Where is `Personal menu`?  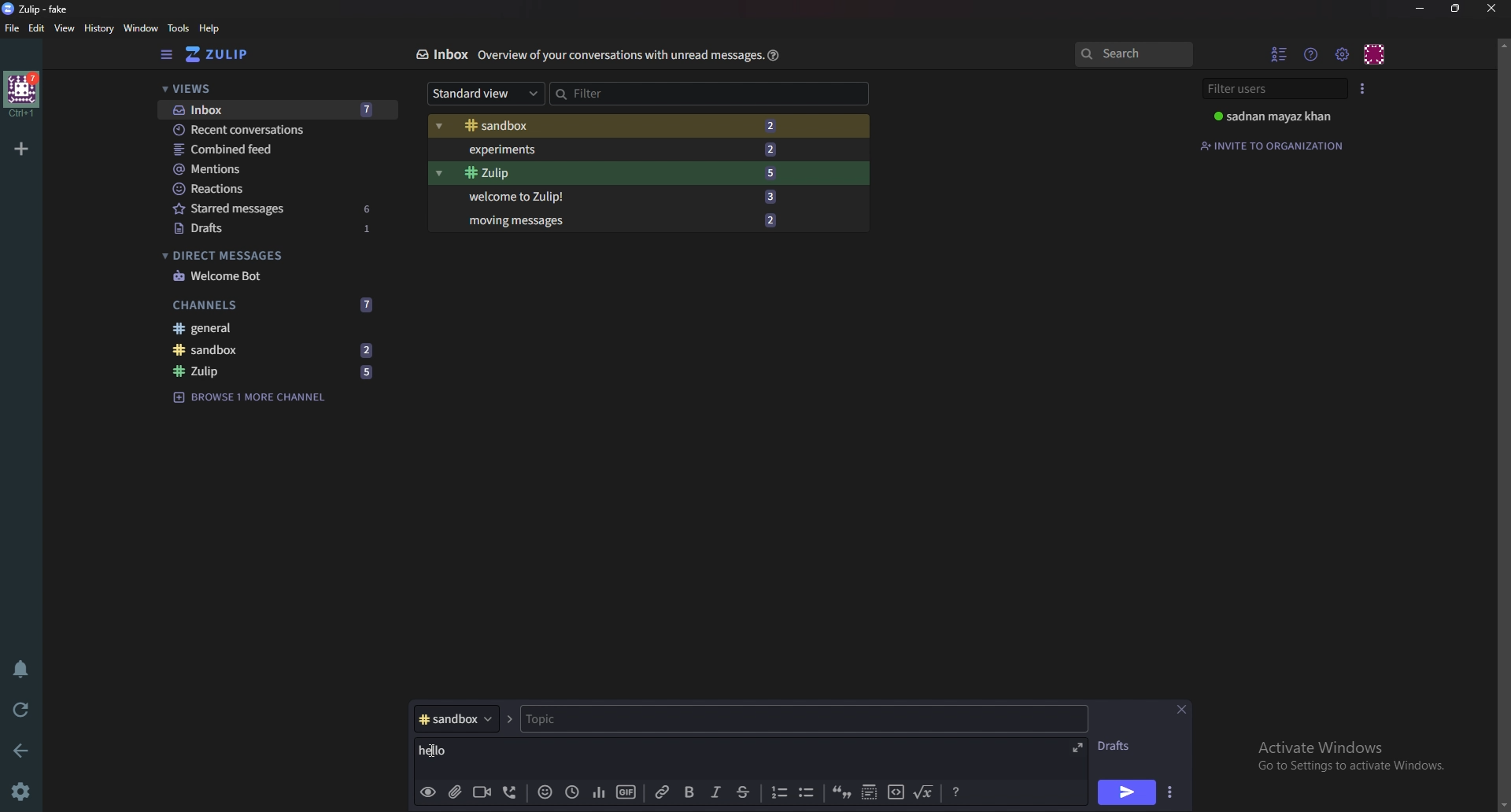
Personal menu is located at coordinates (1375, 54).